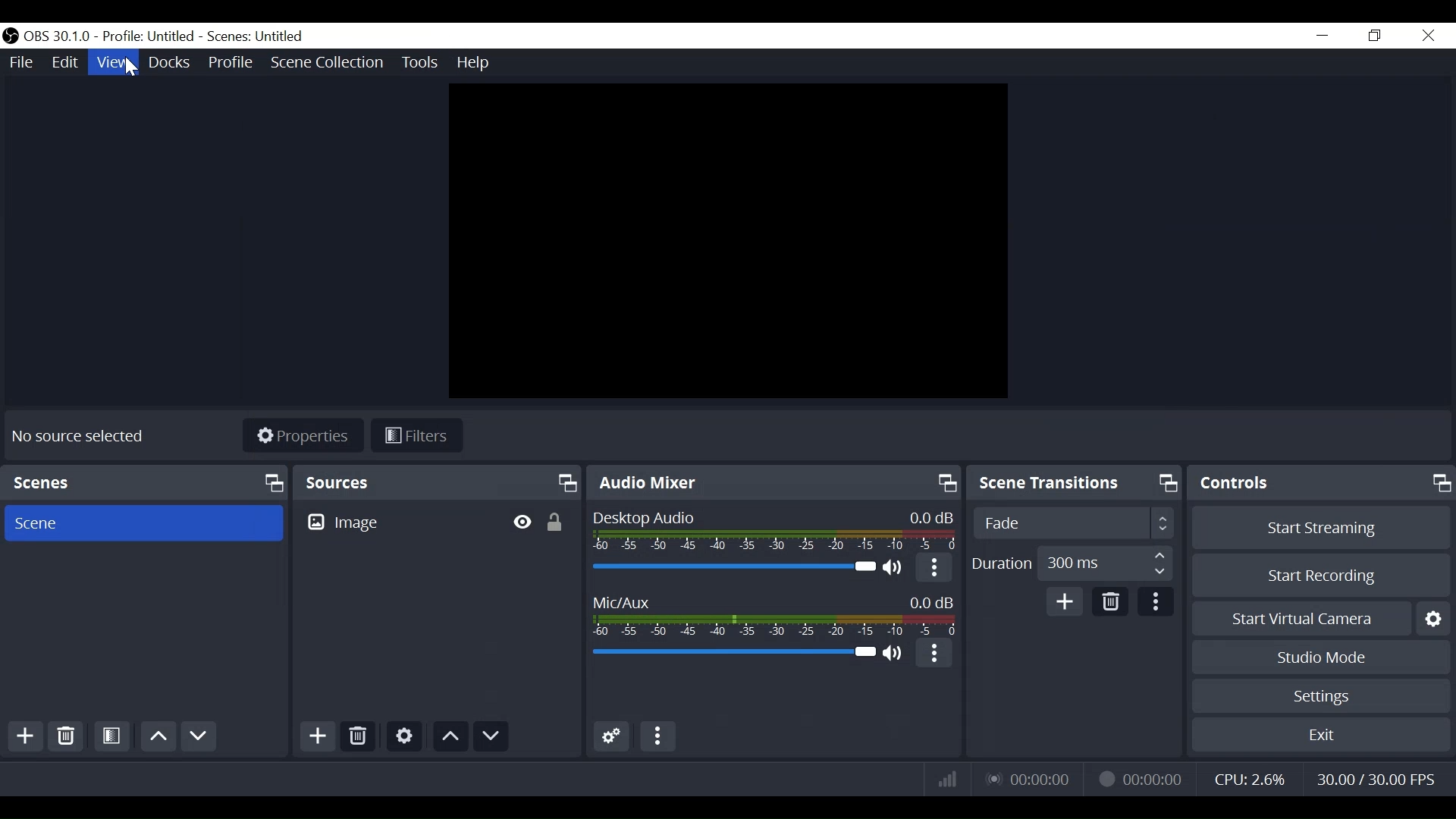 This screenshot has width=1456, height=819. I want to click on move up, so click(450, 736).